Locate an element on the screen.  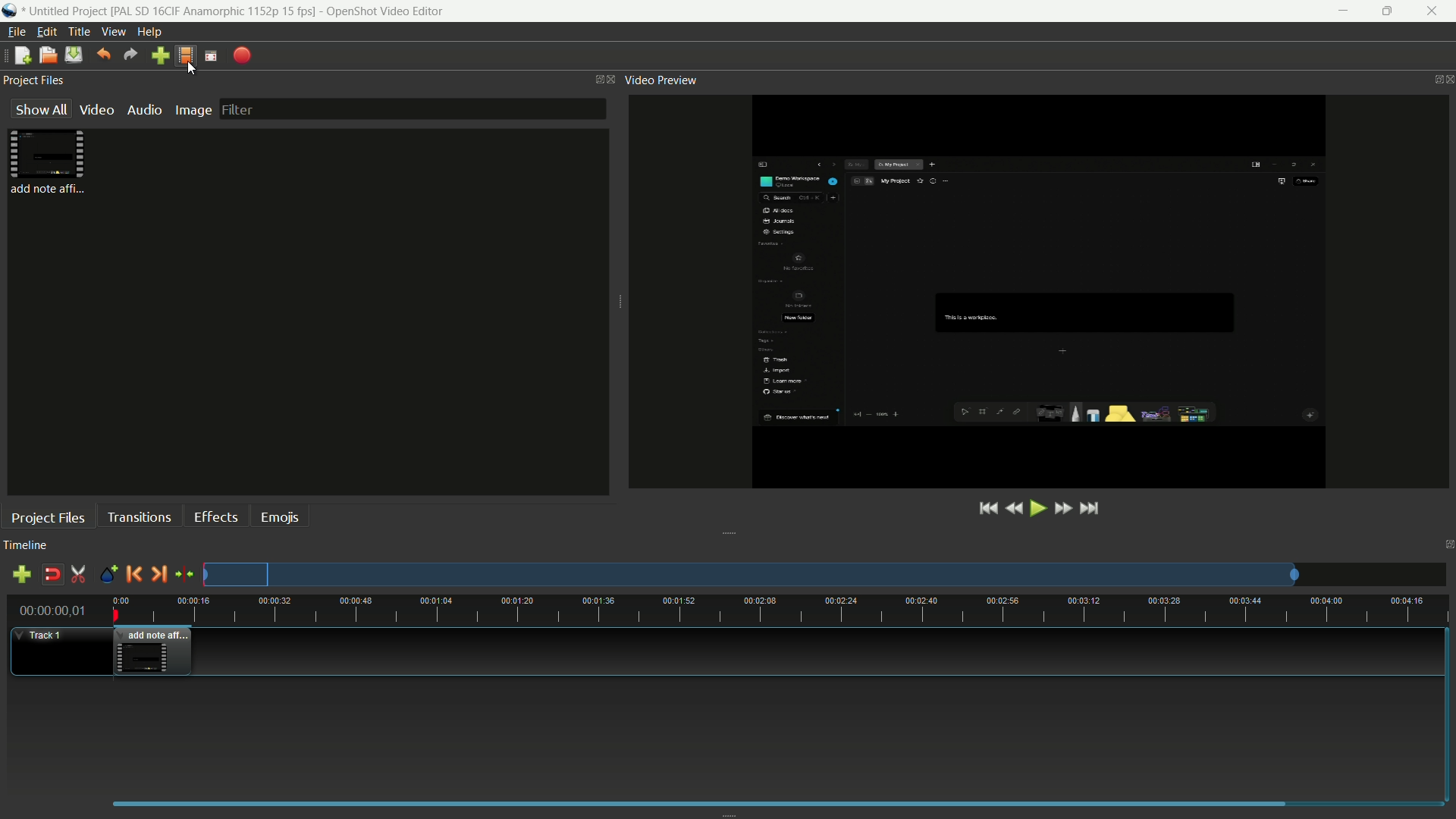
video preview is located at coordinates (661, 81).